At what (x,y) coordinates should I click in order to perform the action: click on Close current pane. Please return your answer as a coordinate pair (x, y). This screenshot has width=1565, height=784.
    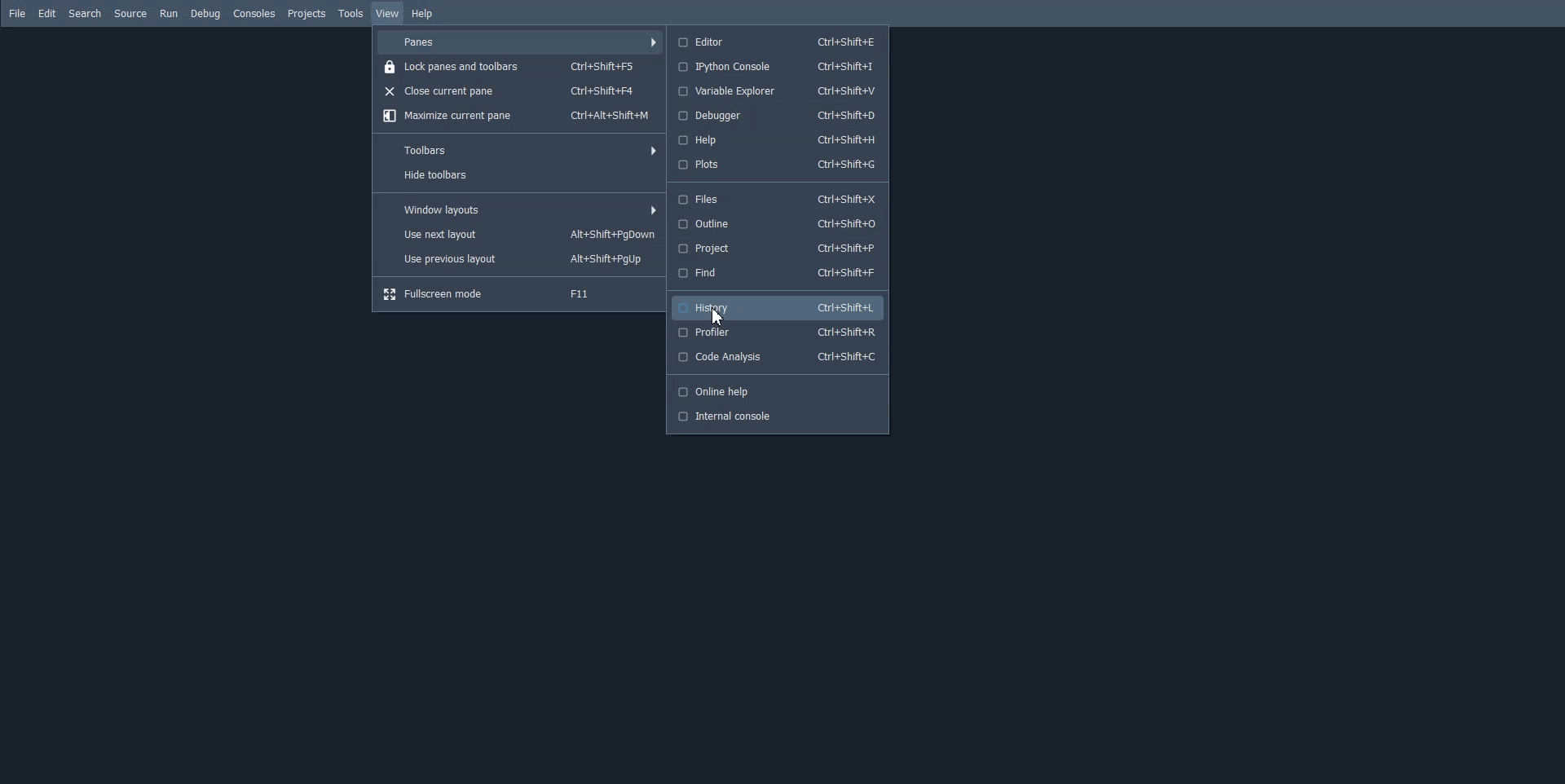
    Looking at the image, I should click on (519, 90).